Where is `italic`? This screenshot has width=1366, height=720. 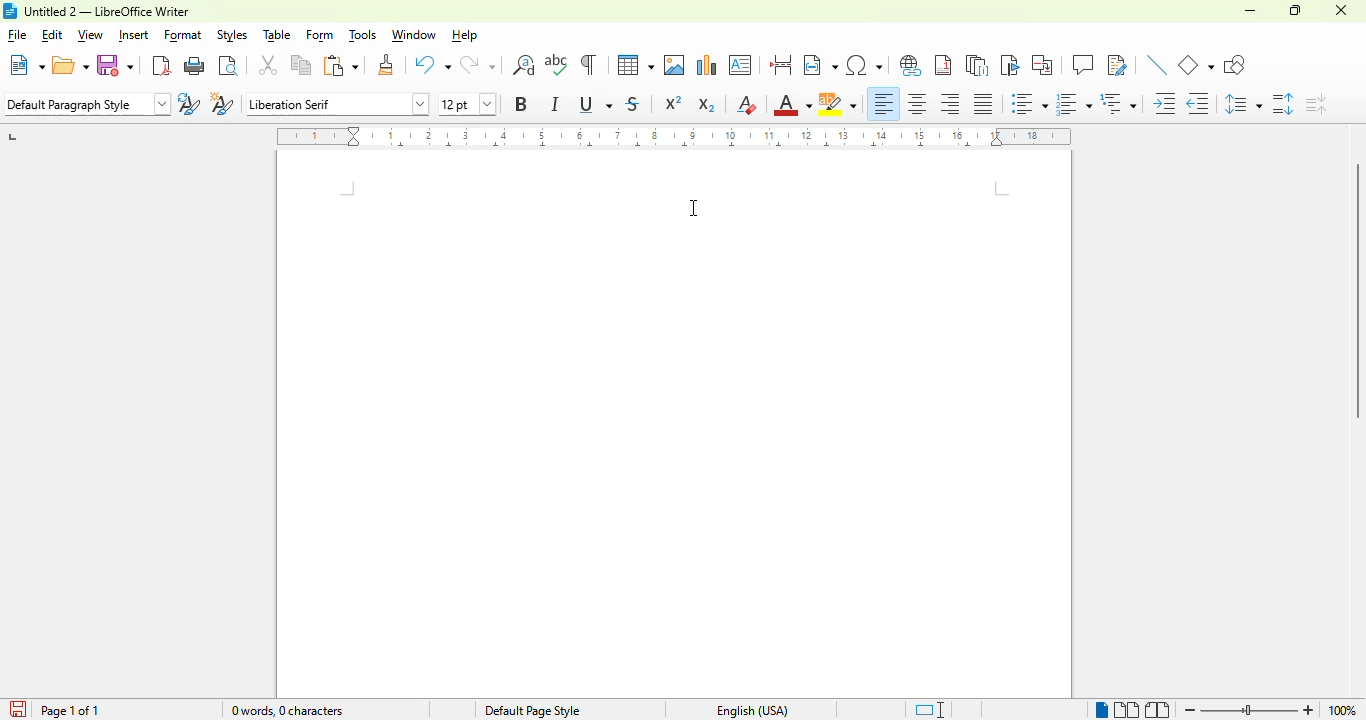 italic is located at coordinates (556, 103).